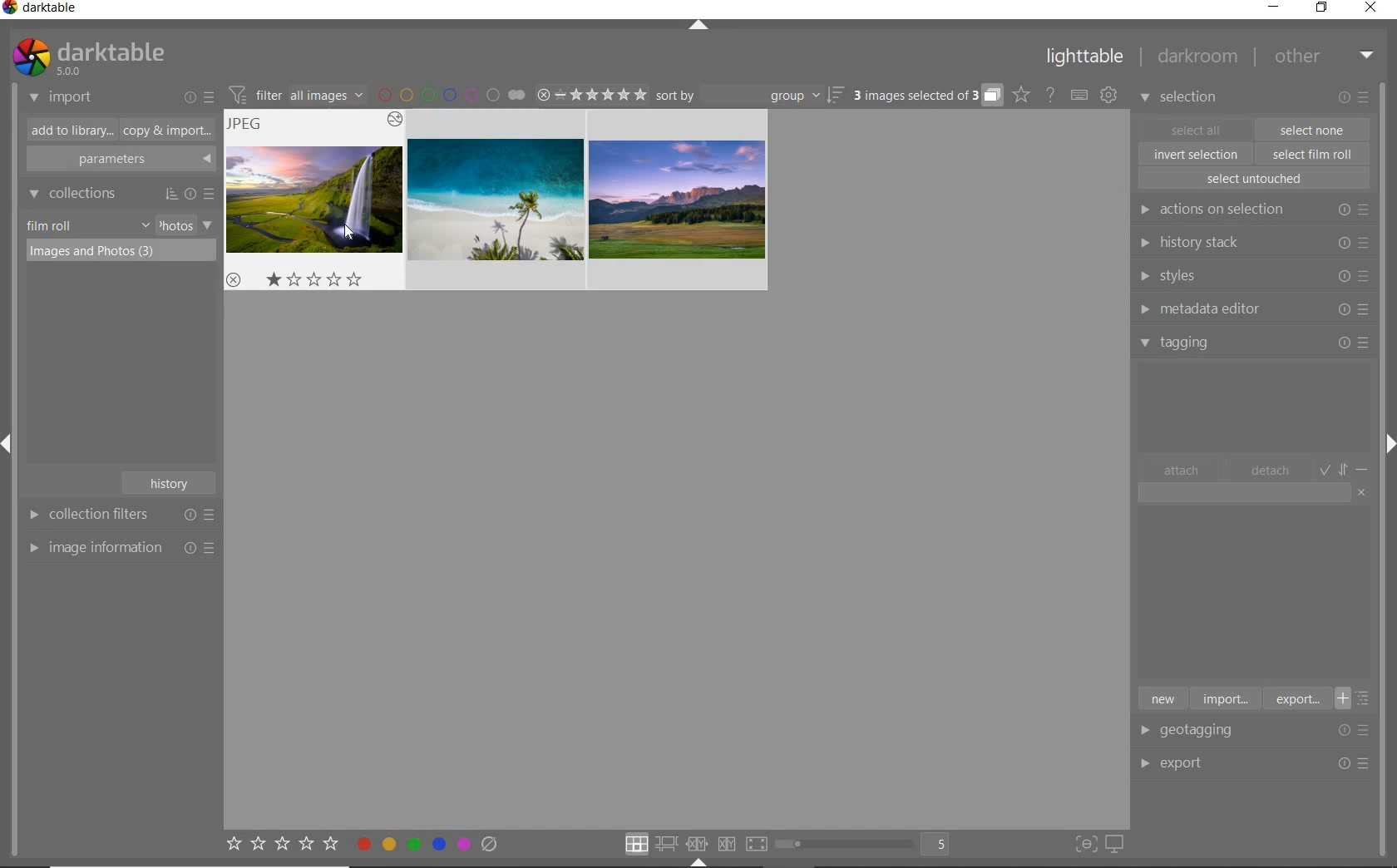 This screenshot has height=868, width=1397. I want to click on detach, so click(1271, 471).